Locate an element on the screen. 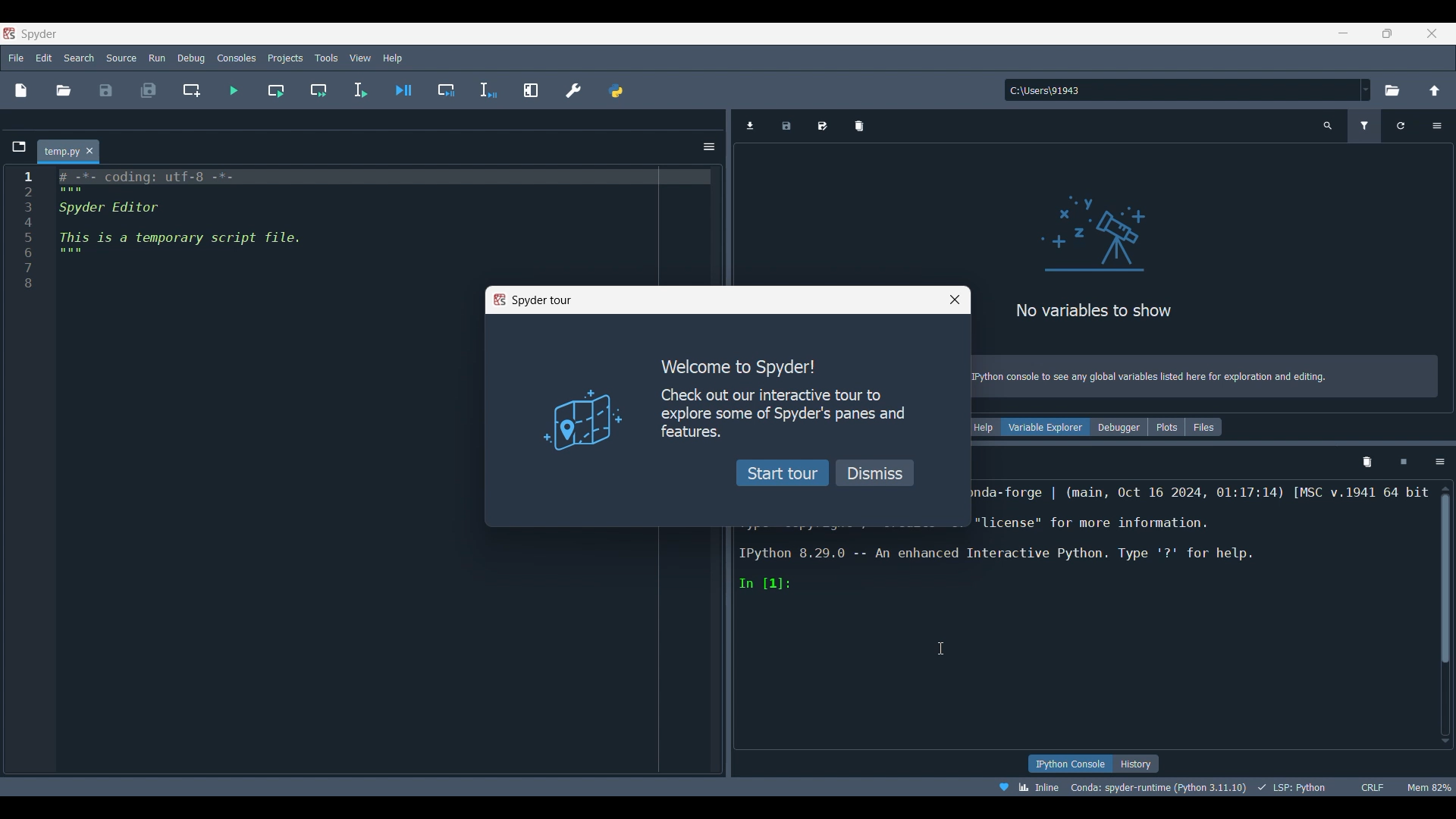 This screenshot has width=1456, height=819. Maximize current pane is located at coordinates (532, 90).